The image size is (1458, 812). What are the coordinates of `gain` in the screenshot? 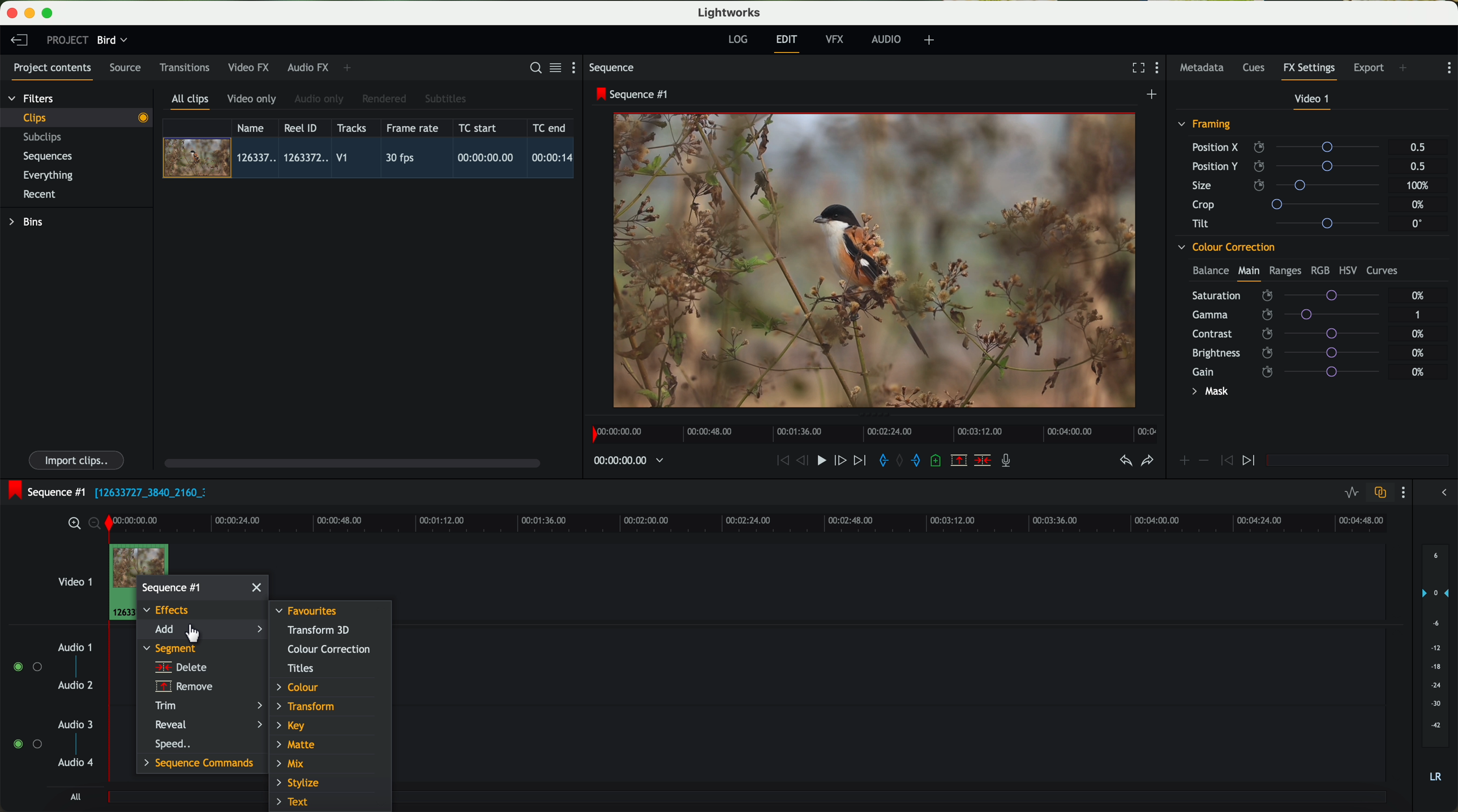 It's located at (1293, 371).